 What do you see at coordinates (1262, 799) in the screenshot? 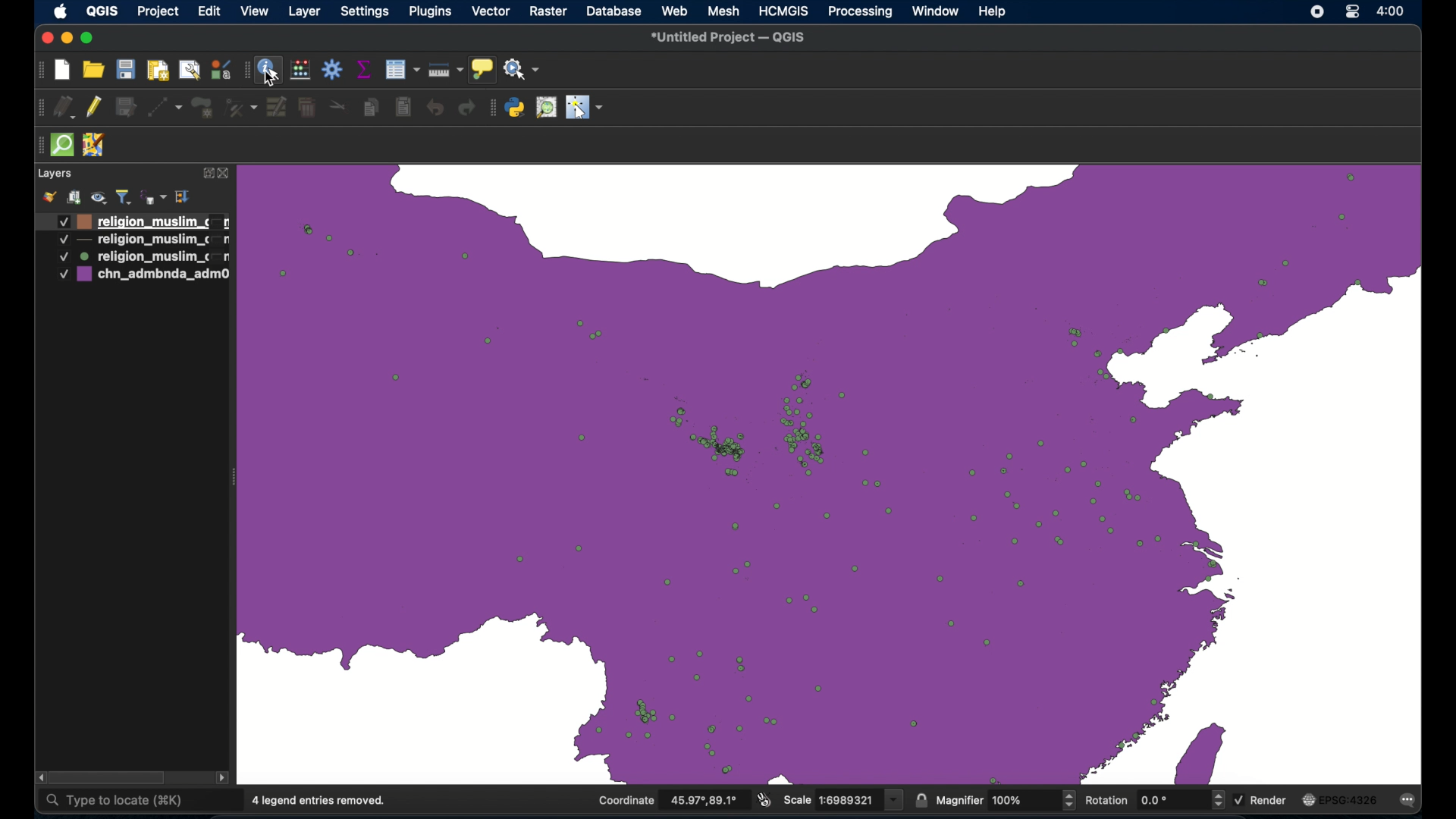
I see `render` at bounding box center [1262, 799].